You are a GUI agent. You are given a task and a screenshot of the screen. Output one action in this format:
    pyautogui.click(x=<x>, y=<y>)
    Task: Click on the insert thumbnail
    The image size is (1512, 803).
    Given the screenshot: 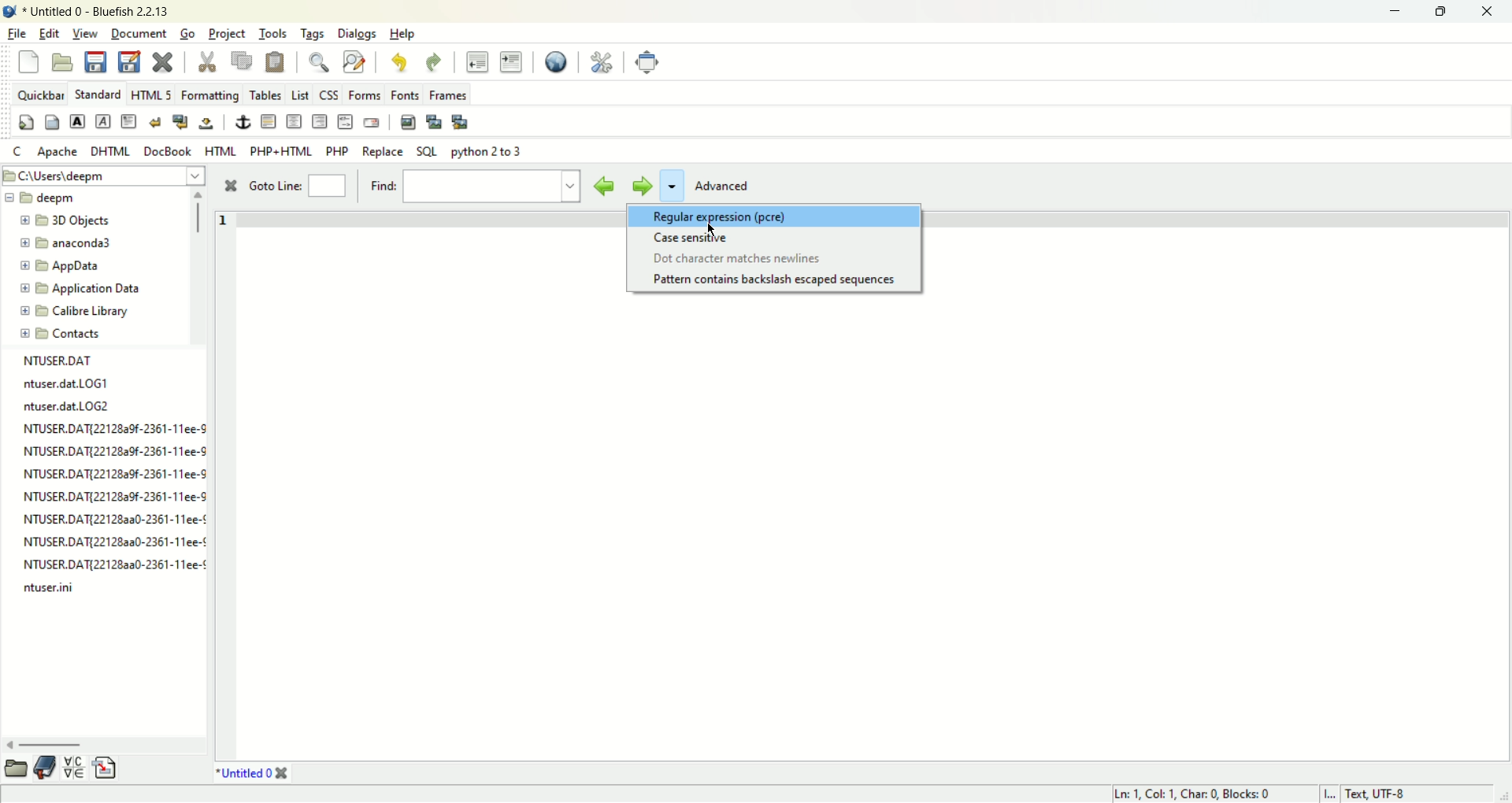 What is the action you would take?
    pyautogui.click(x=432, y=120)
    